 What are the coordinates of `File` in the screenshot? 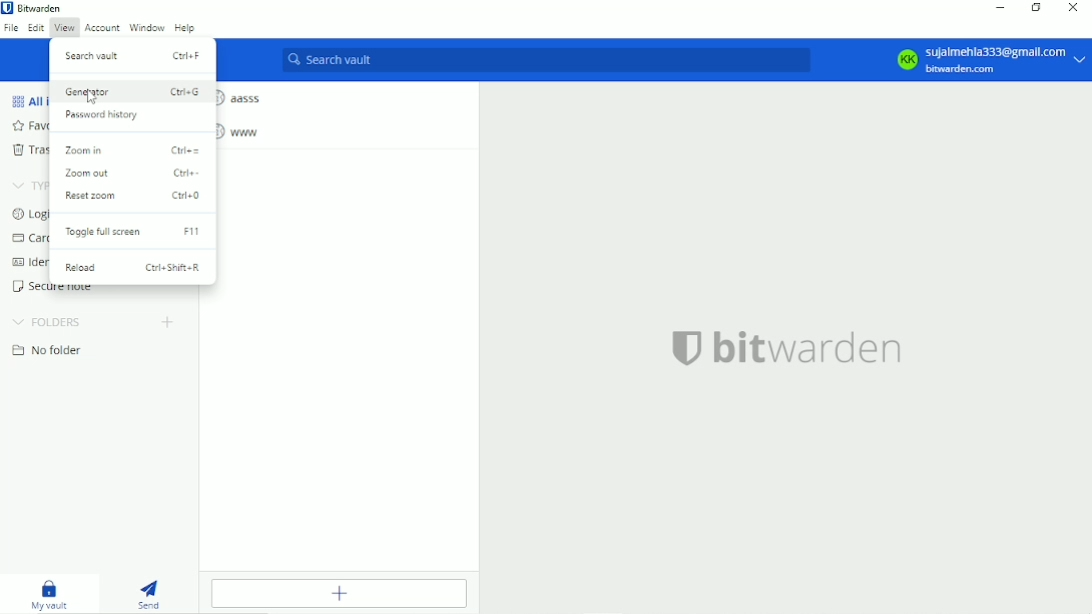 It's located at (11, 28).